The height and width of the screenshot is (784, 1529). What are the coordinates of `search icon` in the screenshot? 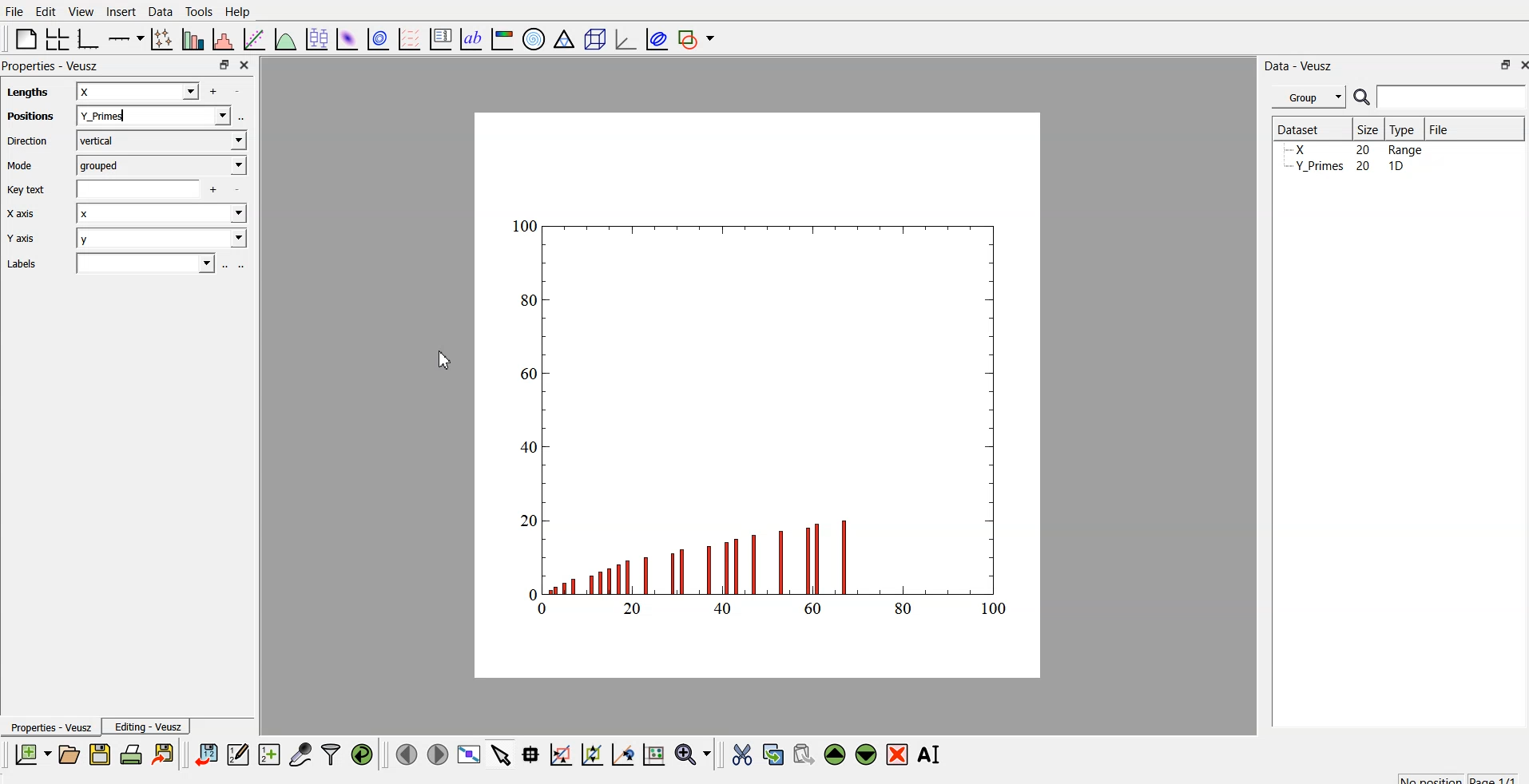 It's located at (1364, 99).